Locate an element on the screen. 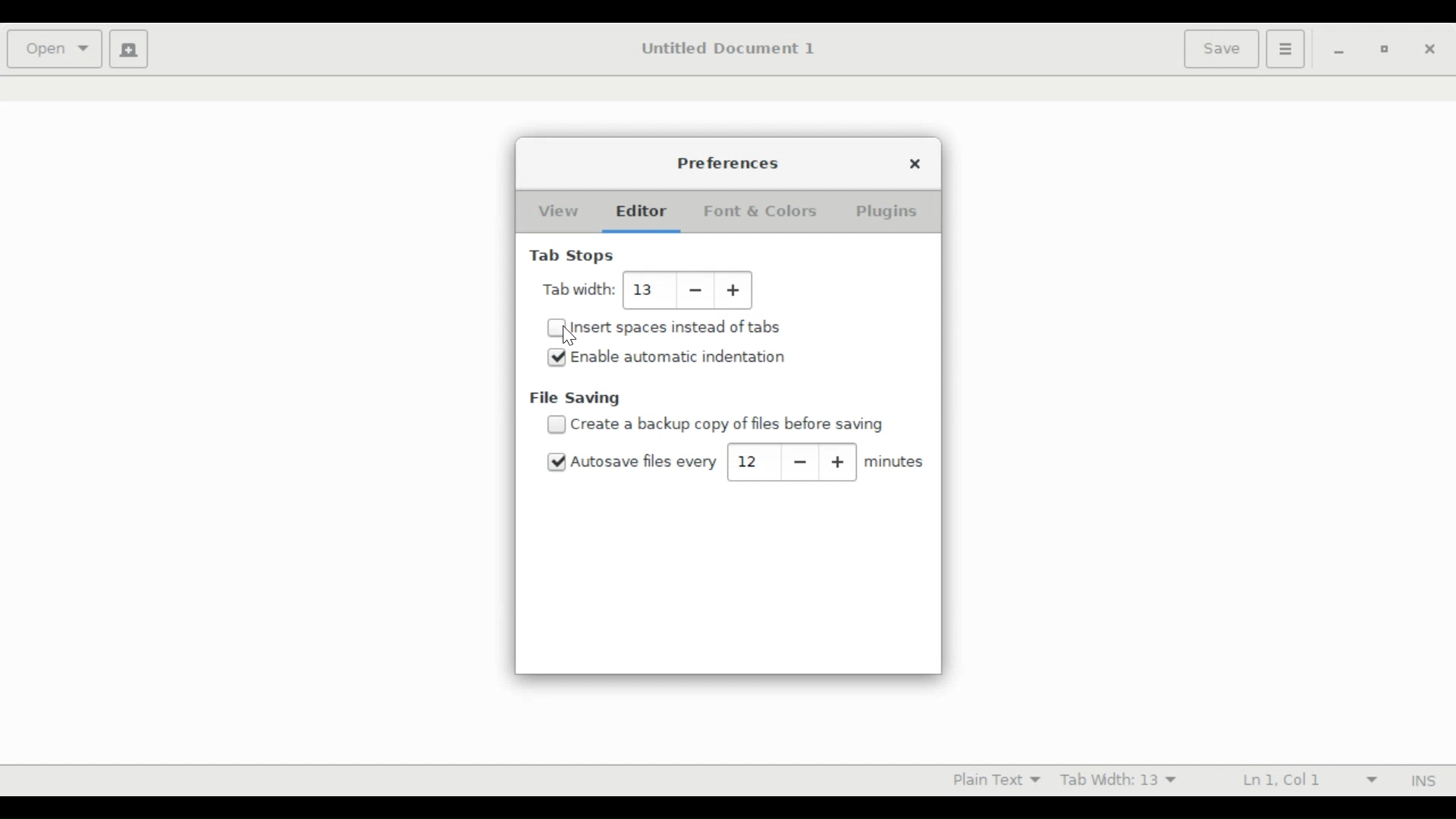  minimize is located at coordinates (1339, 49).